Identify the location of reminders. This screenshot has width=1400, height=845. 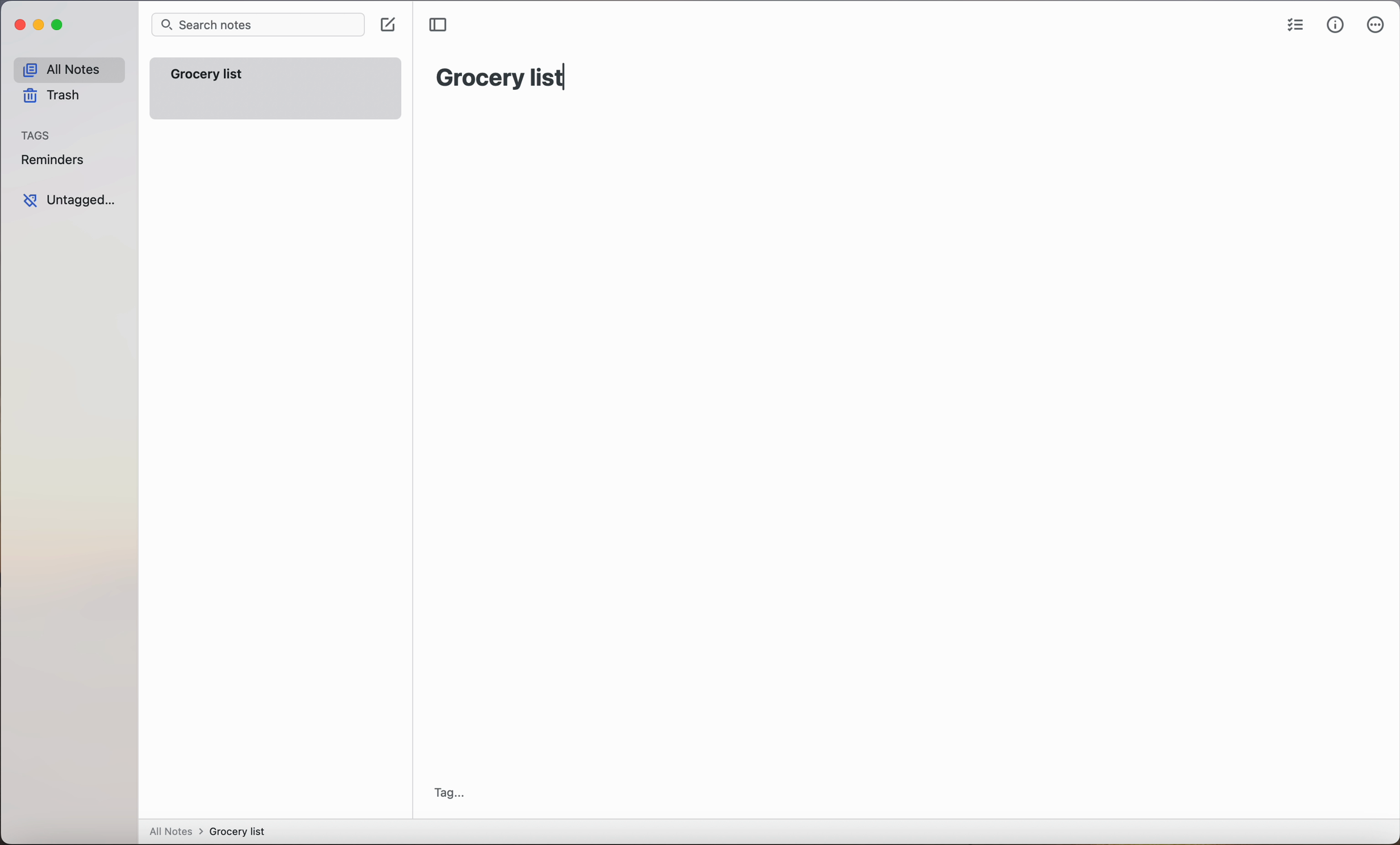
(52, 162).